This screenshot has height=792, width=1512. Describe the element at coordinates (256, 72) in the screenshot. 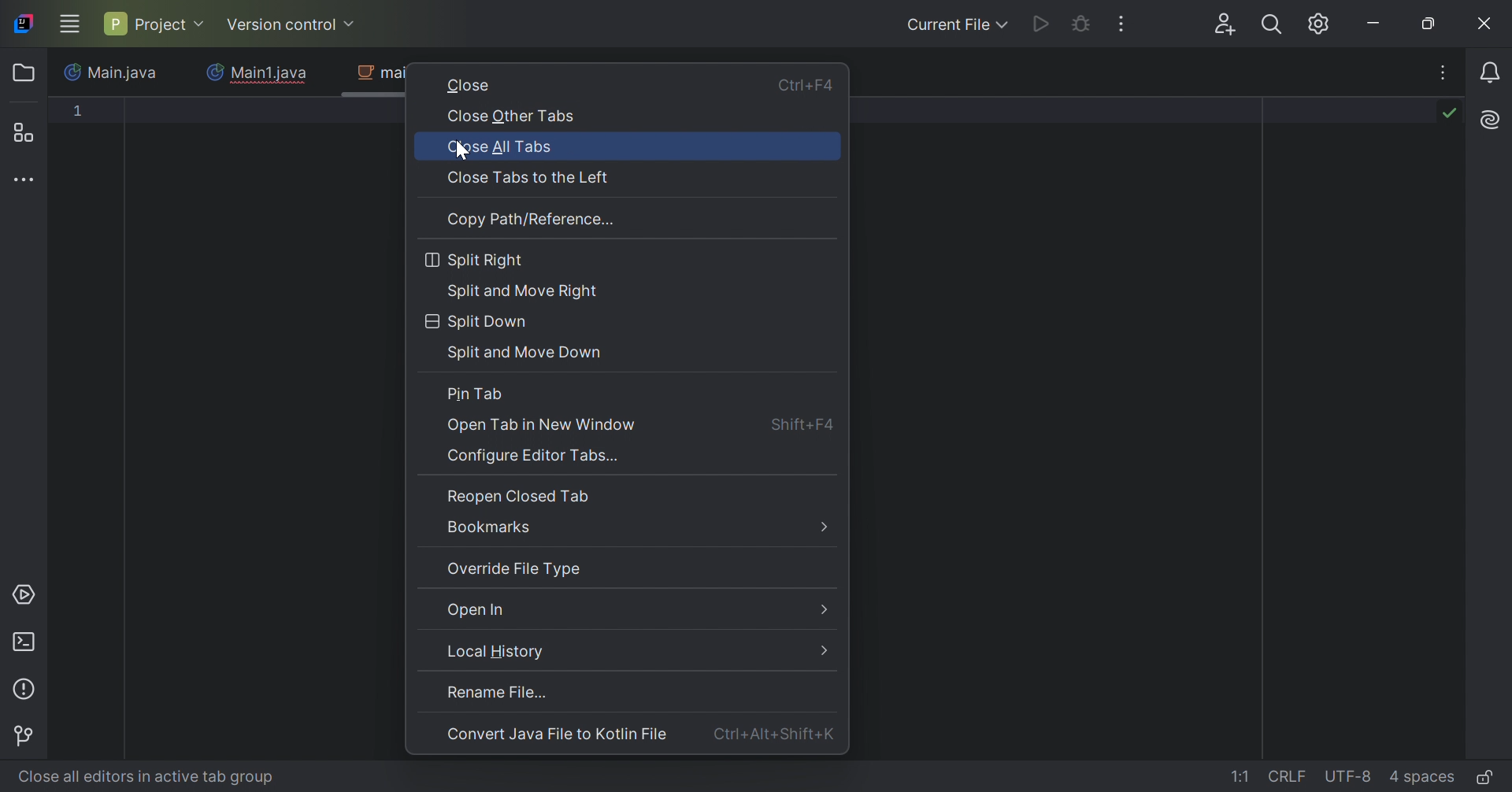

I see `Main1.java` at that location.